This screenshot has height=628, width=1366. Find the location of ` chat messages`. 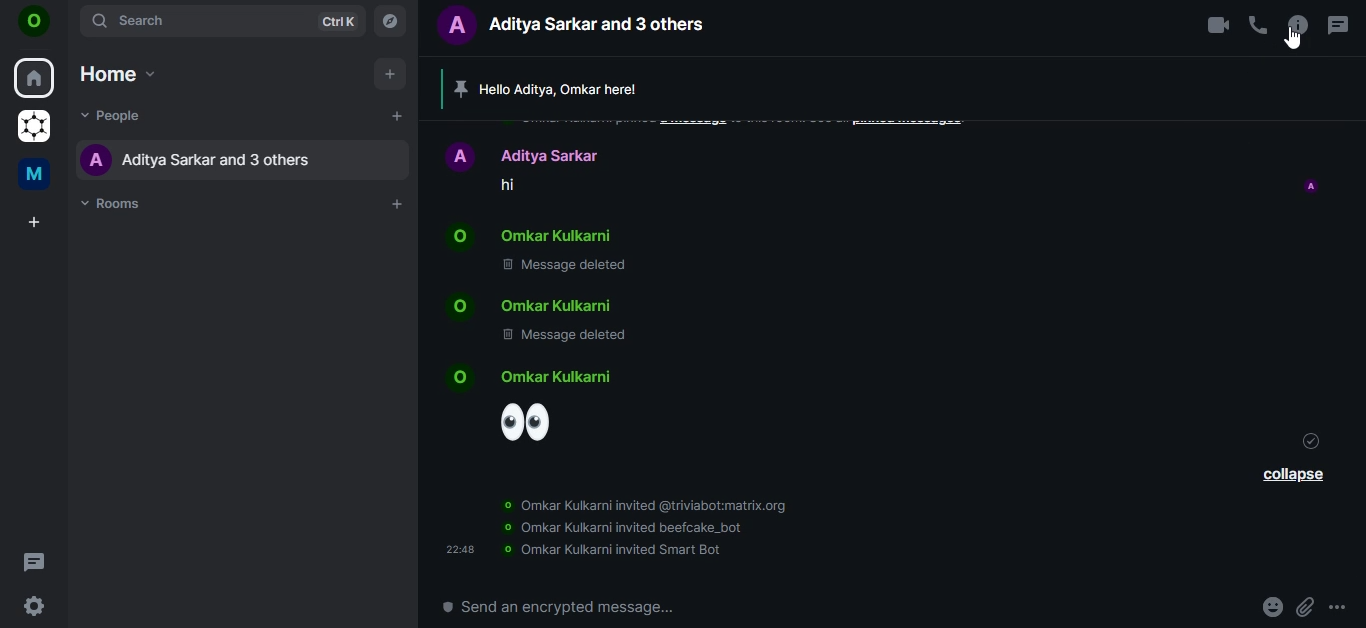

 chat messages is located at coordinates (664, 253).